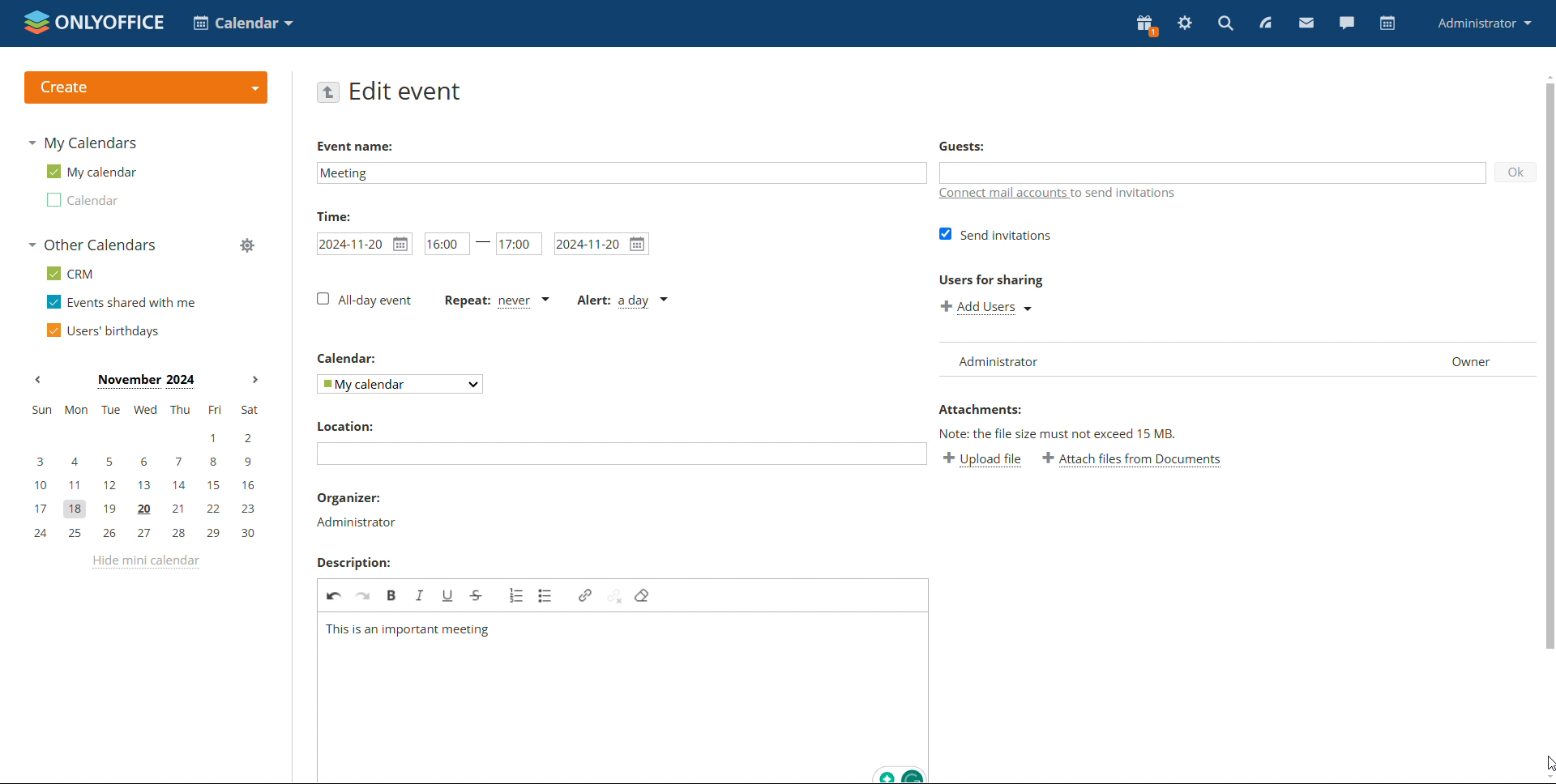 The image size is (1556, 784). Describe the element at coordinates (1546, 776) in the screenshot. I see `scroll down` at that location.